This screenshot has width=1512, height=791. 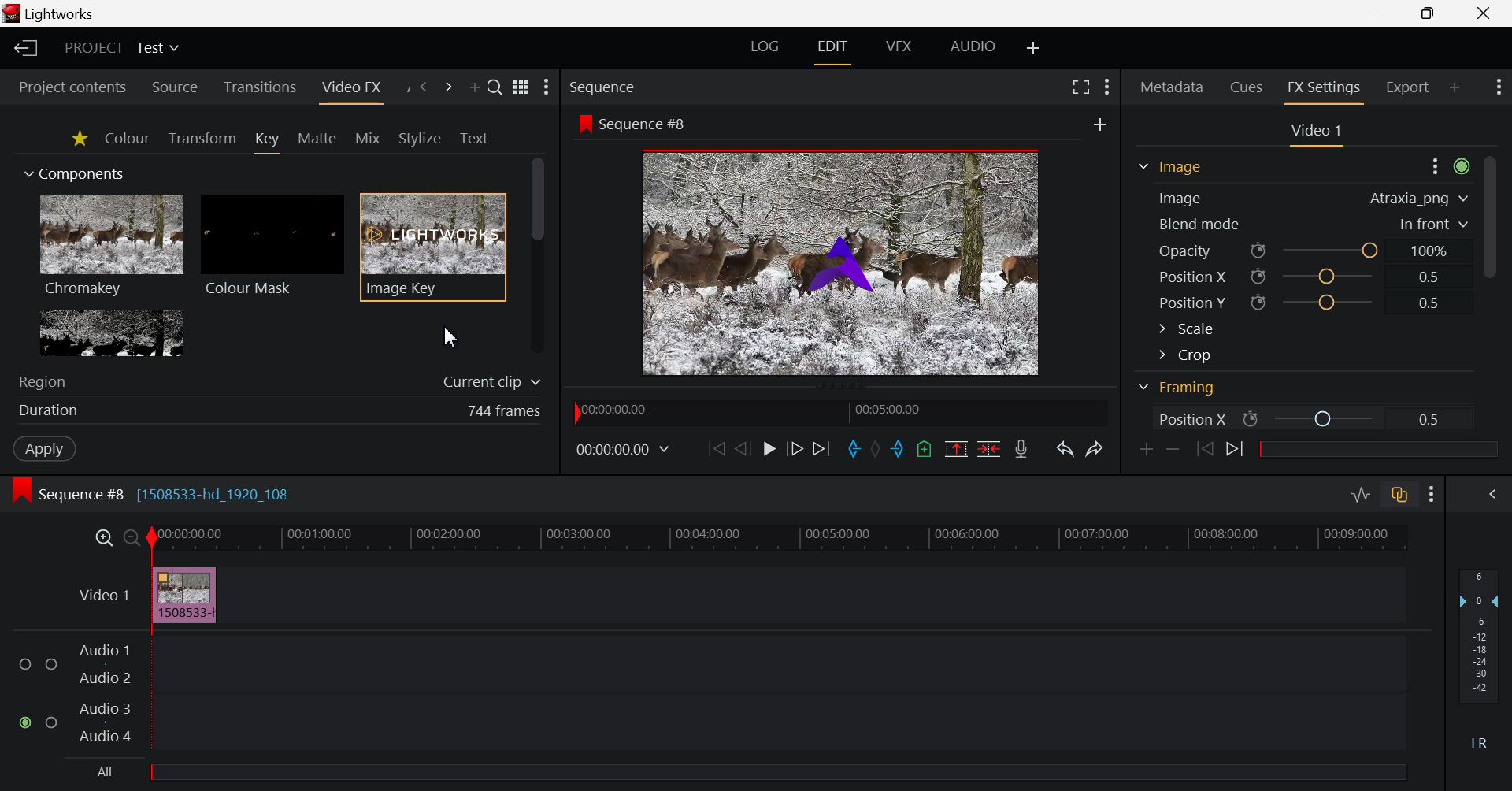 I want to click on checkbox, so click(x=51, y=662).